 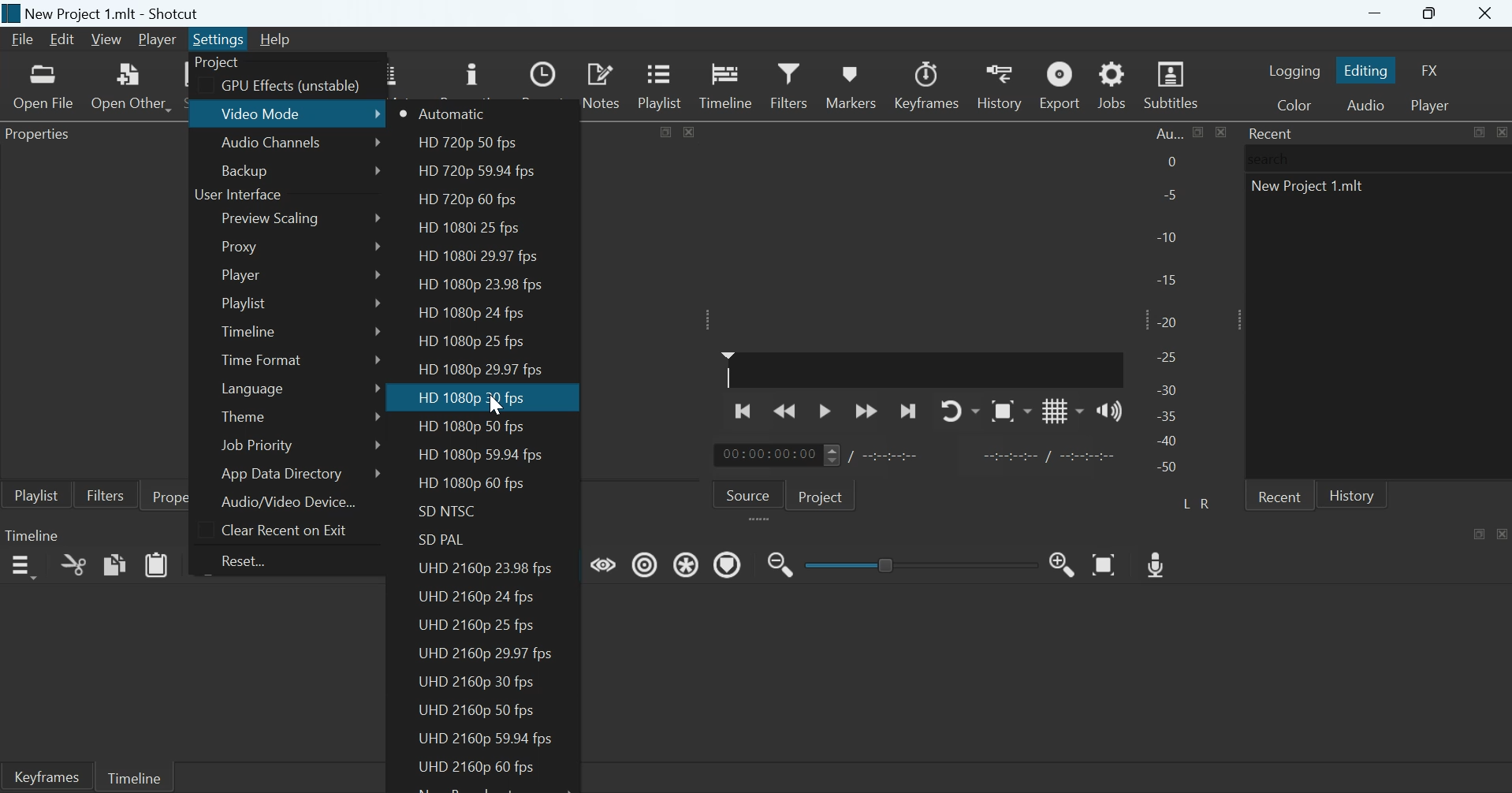 What do you see at coordinates (688, 563) in the screenshot?
I see `Ripple all tracks` at bounding box center [688, 563].